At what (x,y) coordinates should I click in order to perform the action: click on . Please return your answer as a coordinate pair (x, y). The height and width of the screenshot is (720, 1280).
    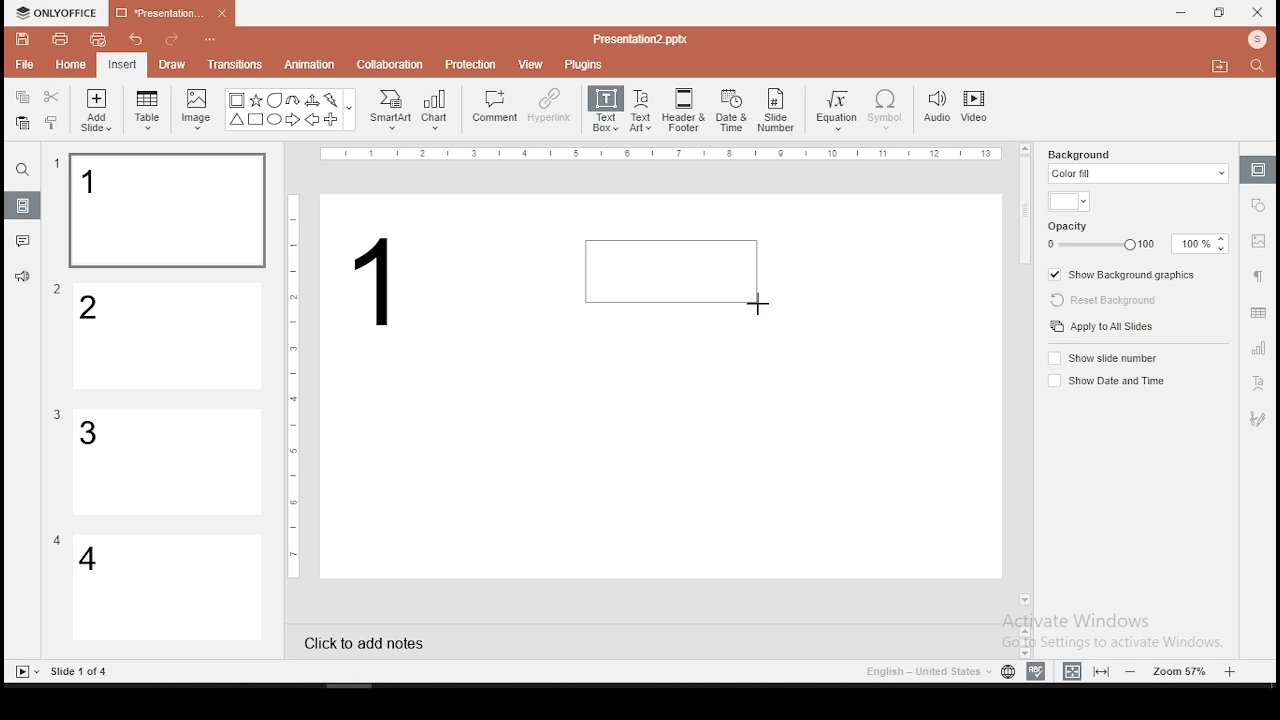
    Looking at the image, I should click on (81, 672).